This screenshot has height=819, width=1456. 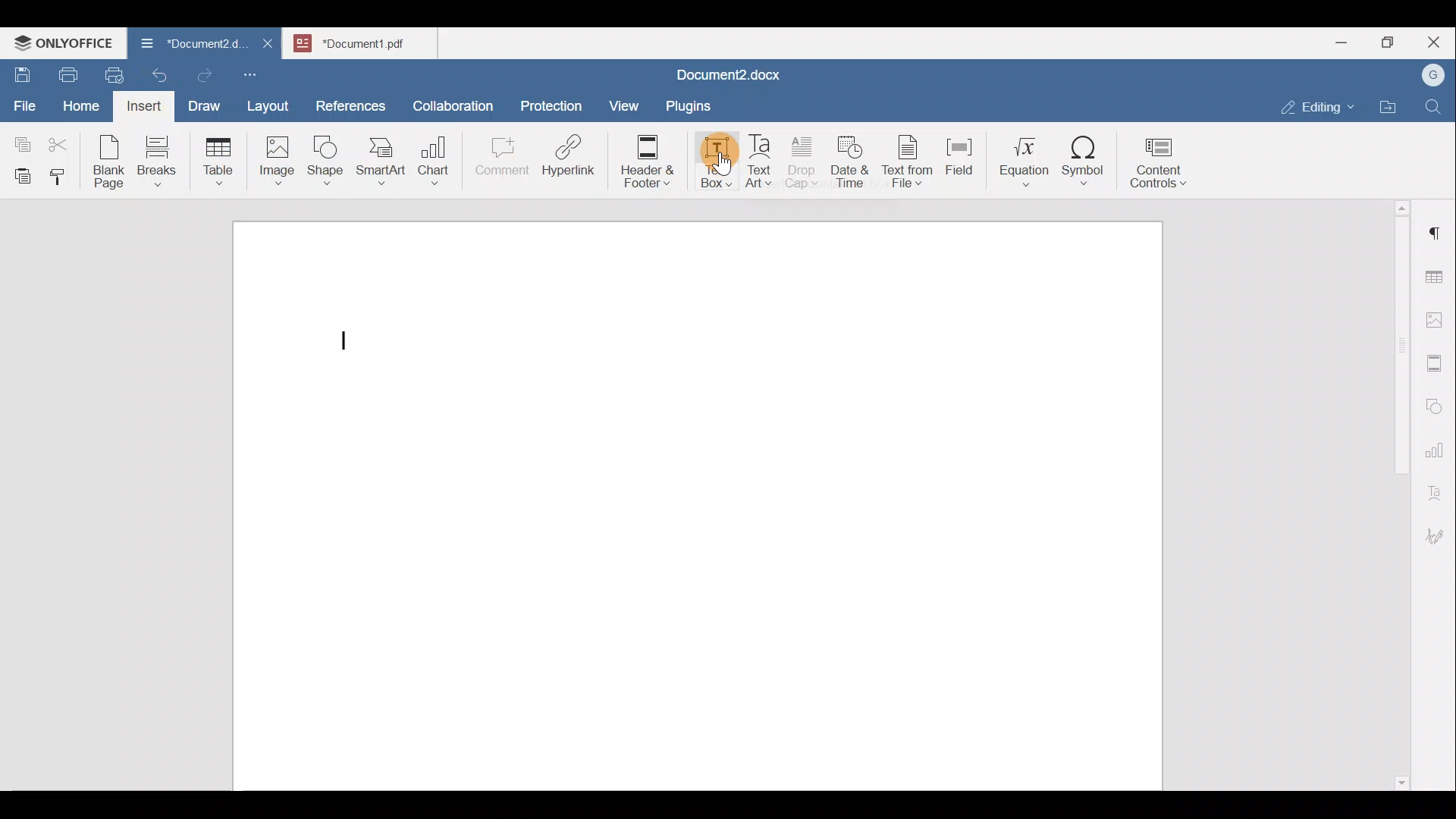 What do you see at coordinates (1166, 162) in the screenshot?
I see `Content controls` at bounding box center [1166, 162].